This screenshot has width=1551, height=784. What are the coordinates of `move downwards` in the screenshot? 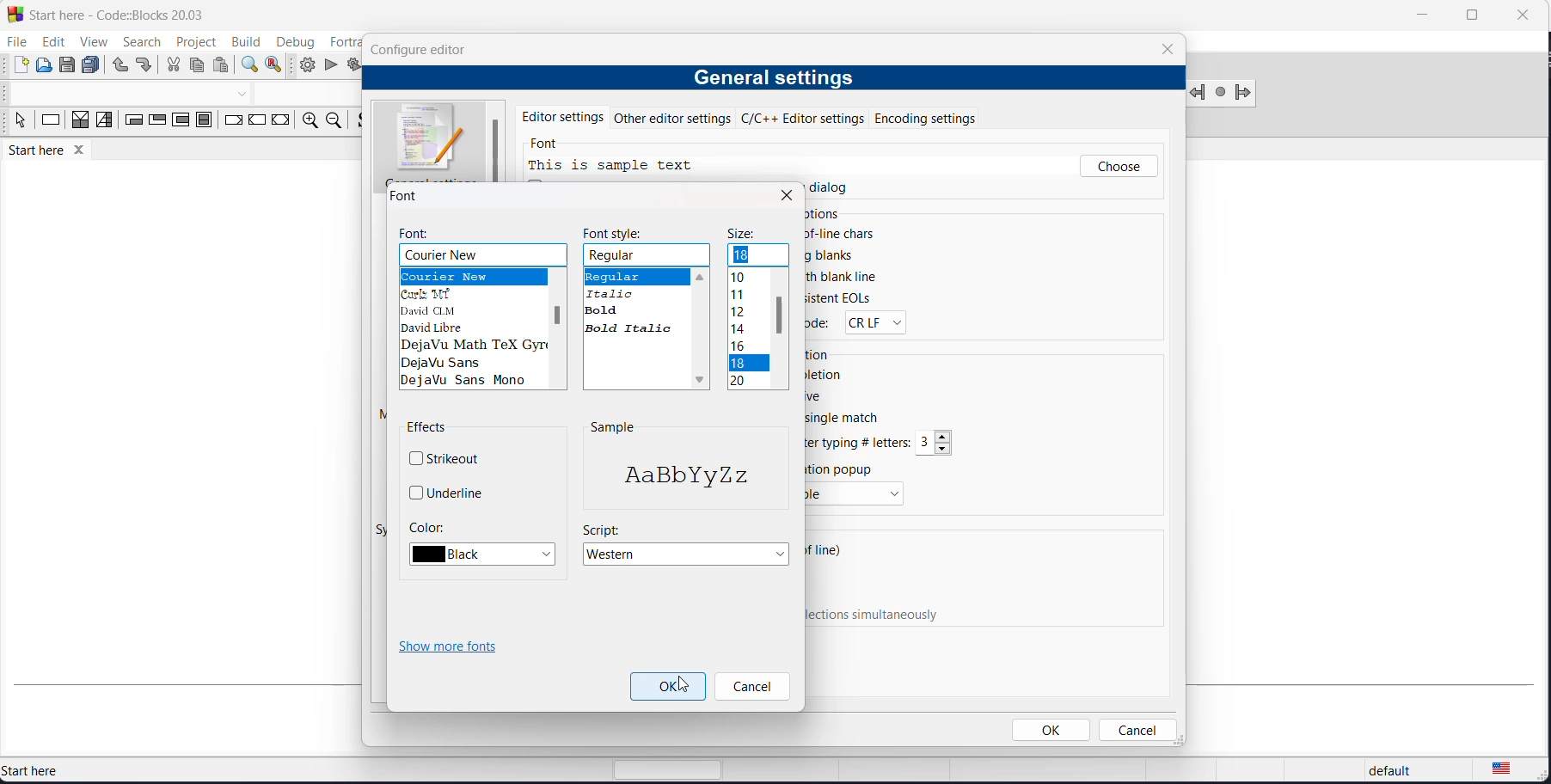 It's located at (702, 382).